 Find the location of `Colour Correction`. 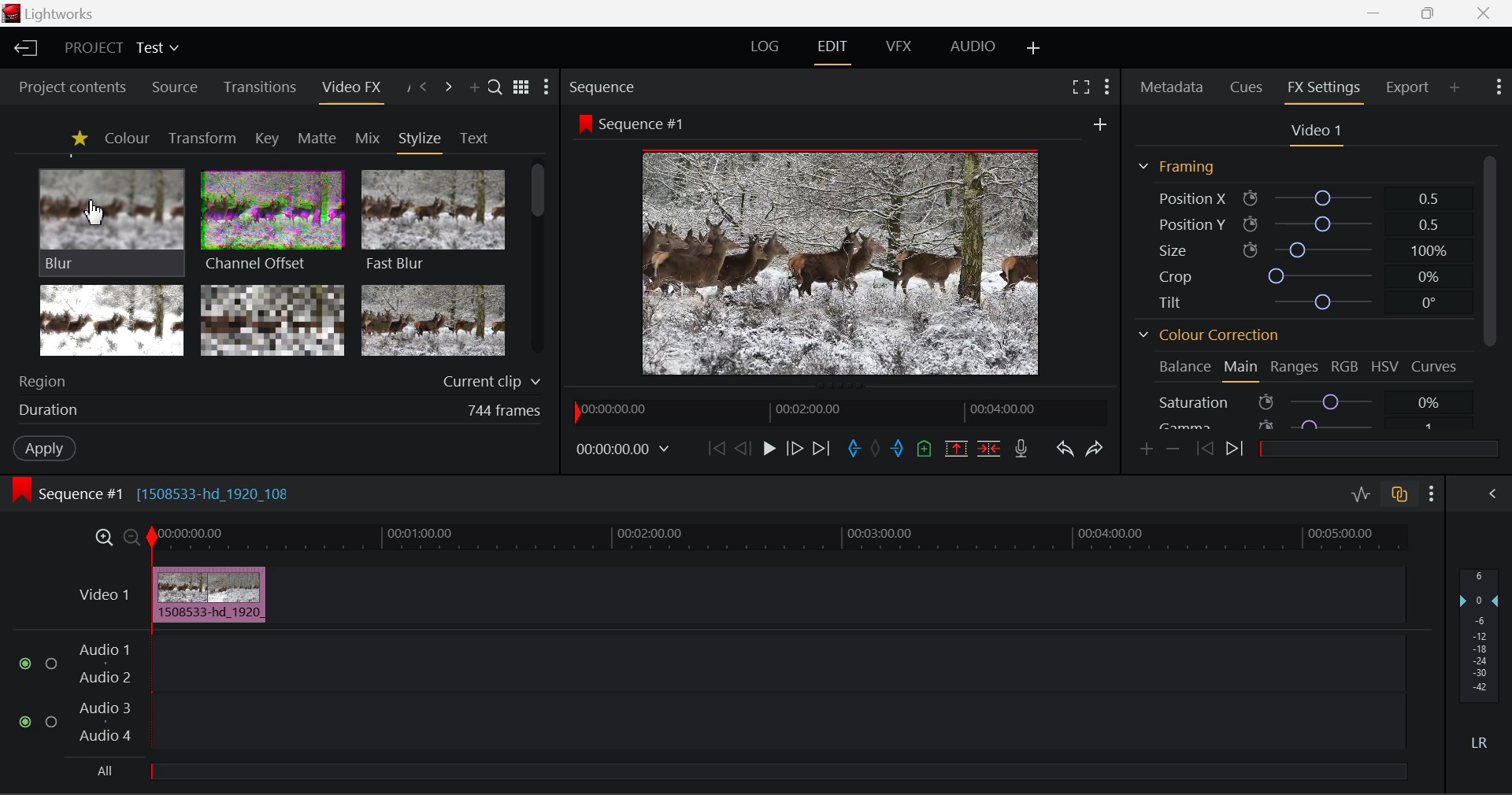

Colour Correction is located at coordinates (1209, 334).